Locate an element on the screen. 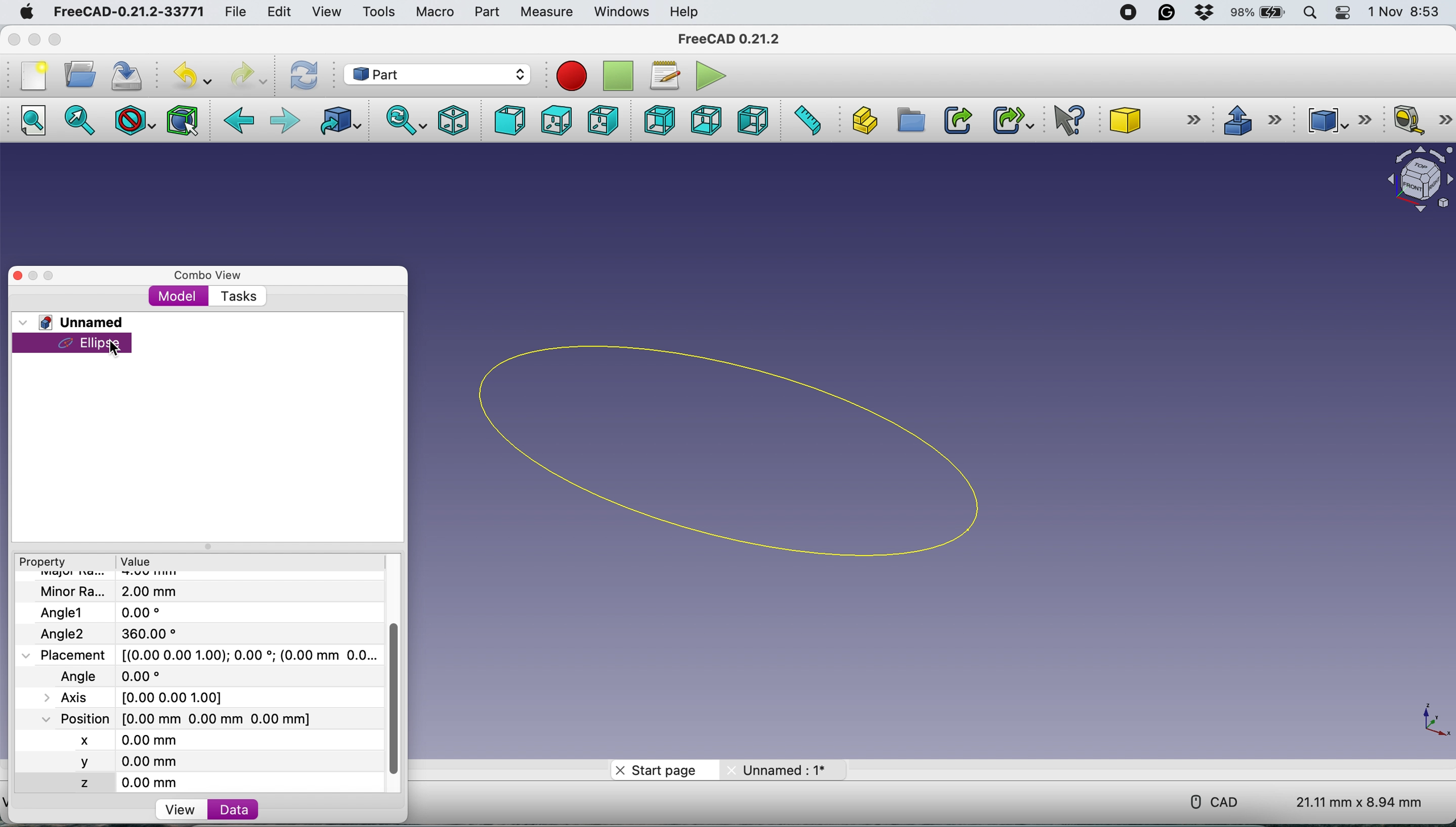 Image resolution: width=1456 pixels, height=827 pixels. workbench is located at coordinates (437, 76).